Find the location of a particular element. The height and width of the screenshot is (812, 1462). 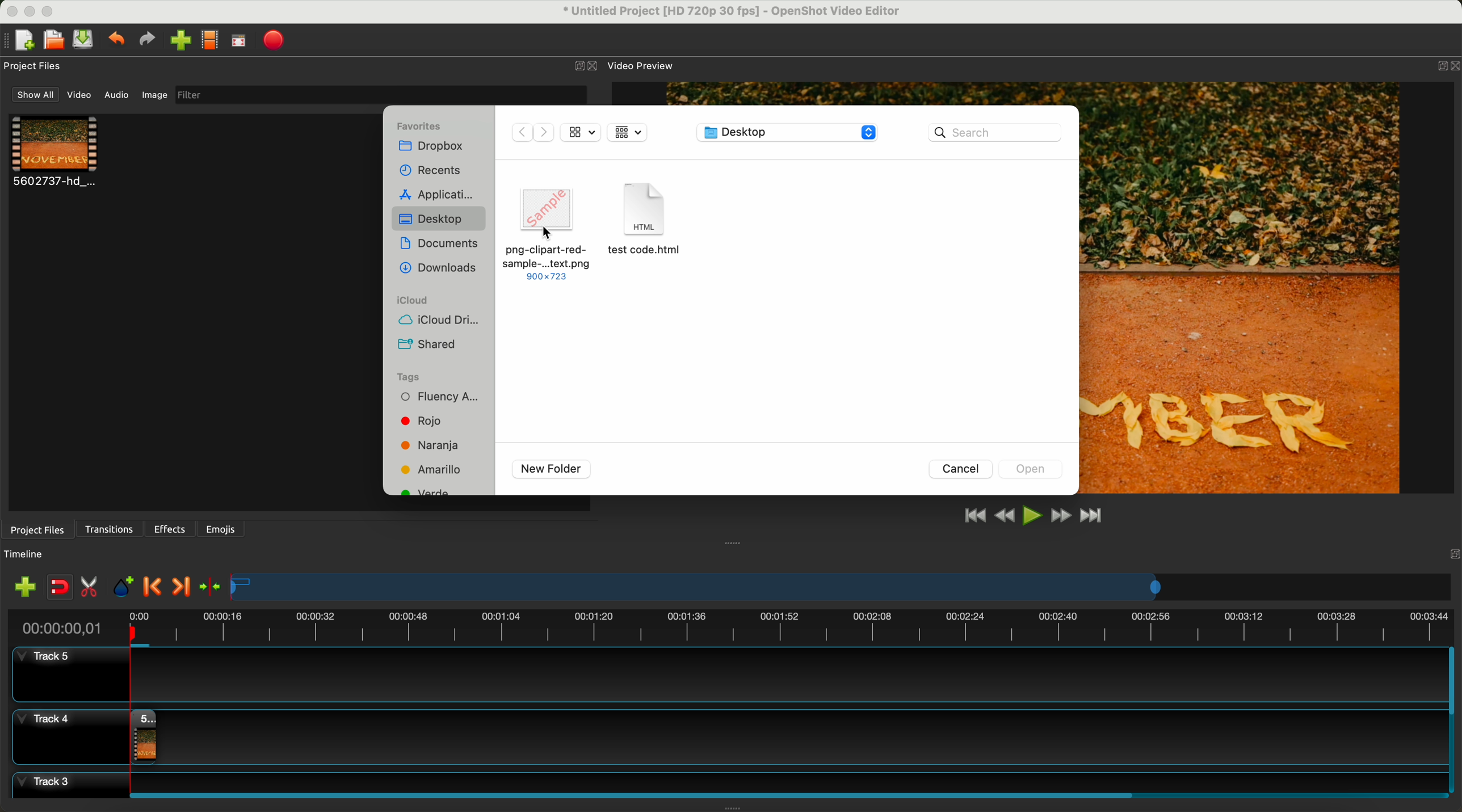

Window Expanding is located at coordinates (733, 542).